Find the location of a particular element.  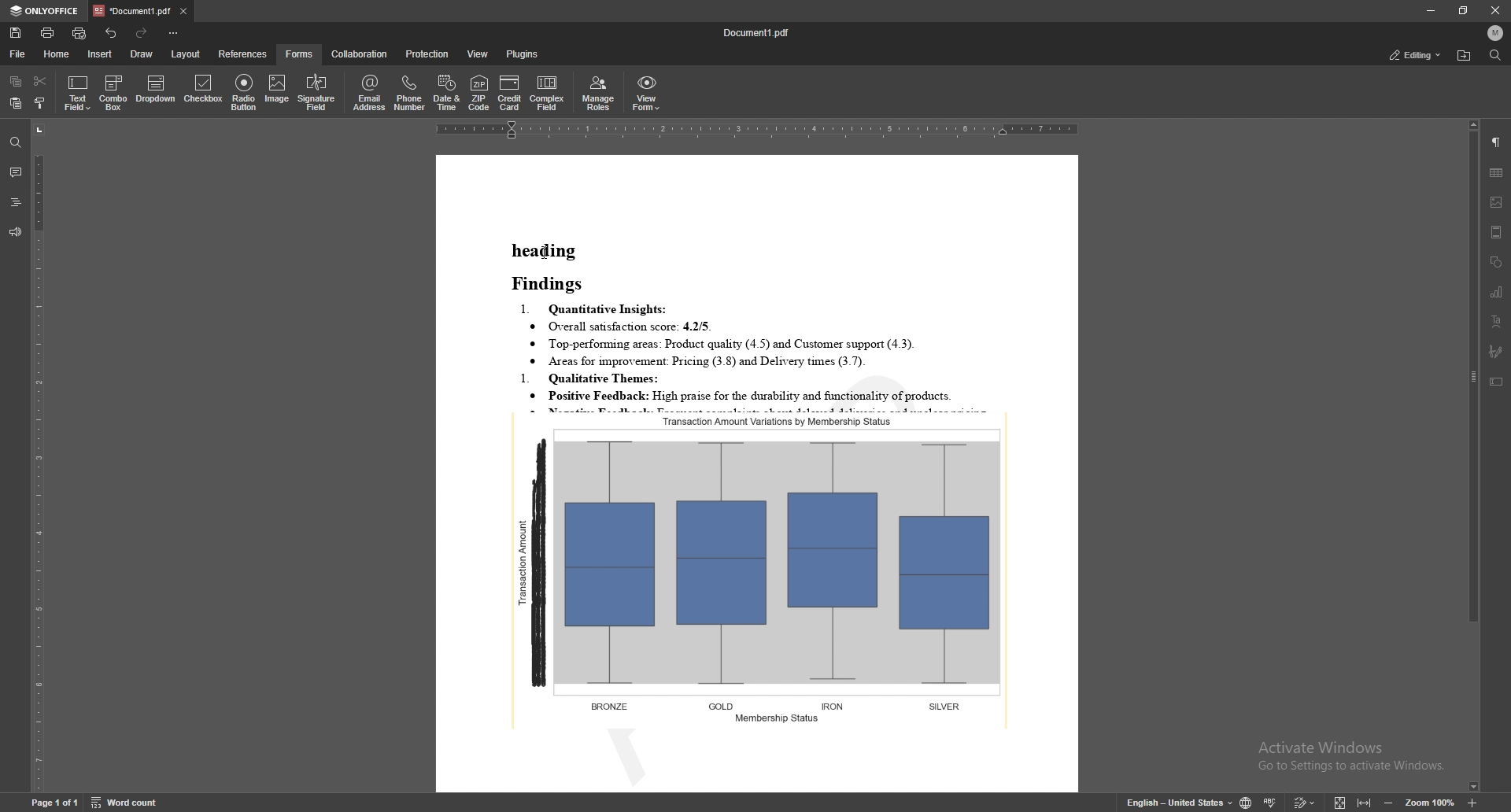

® Overall satisfaction score: 4.2/5. is located at coordinates (623, 327).